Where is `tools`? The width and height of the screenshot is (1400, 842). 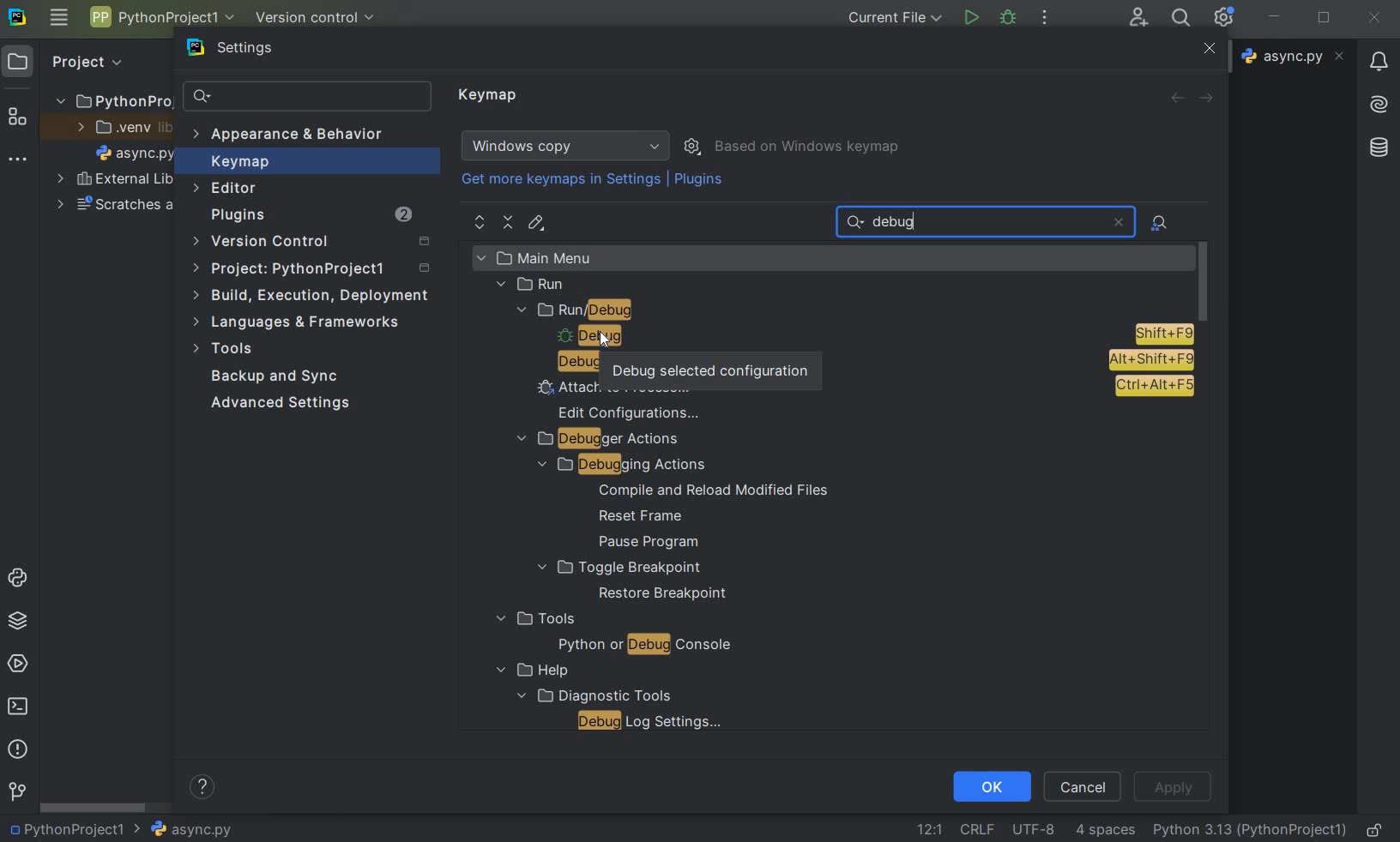
tools is located at coordinates (534, 619).